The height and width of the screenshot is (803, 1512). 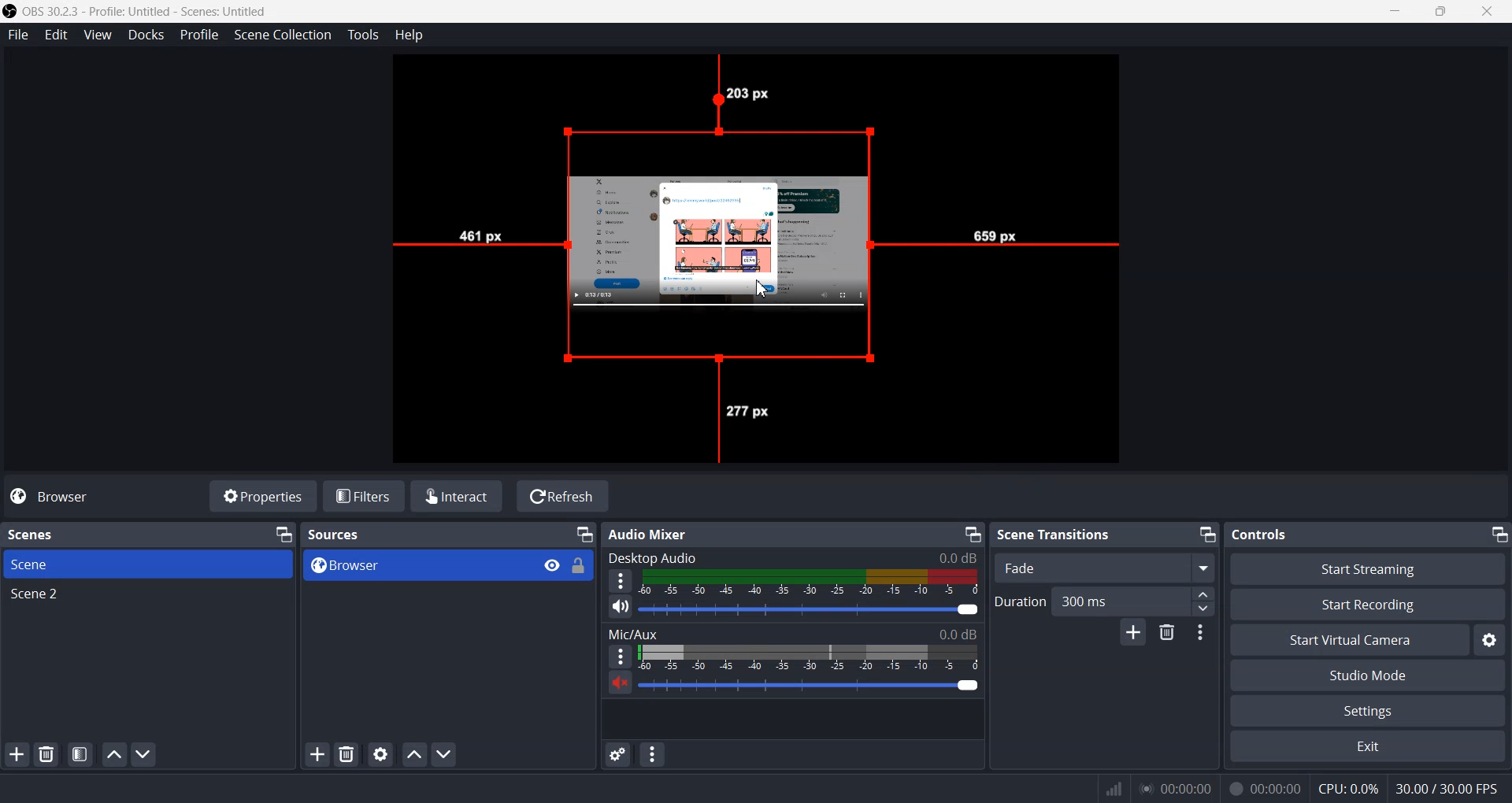 I want to click on Move scene up, so click(x=113, y=755).